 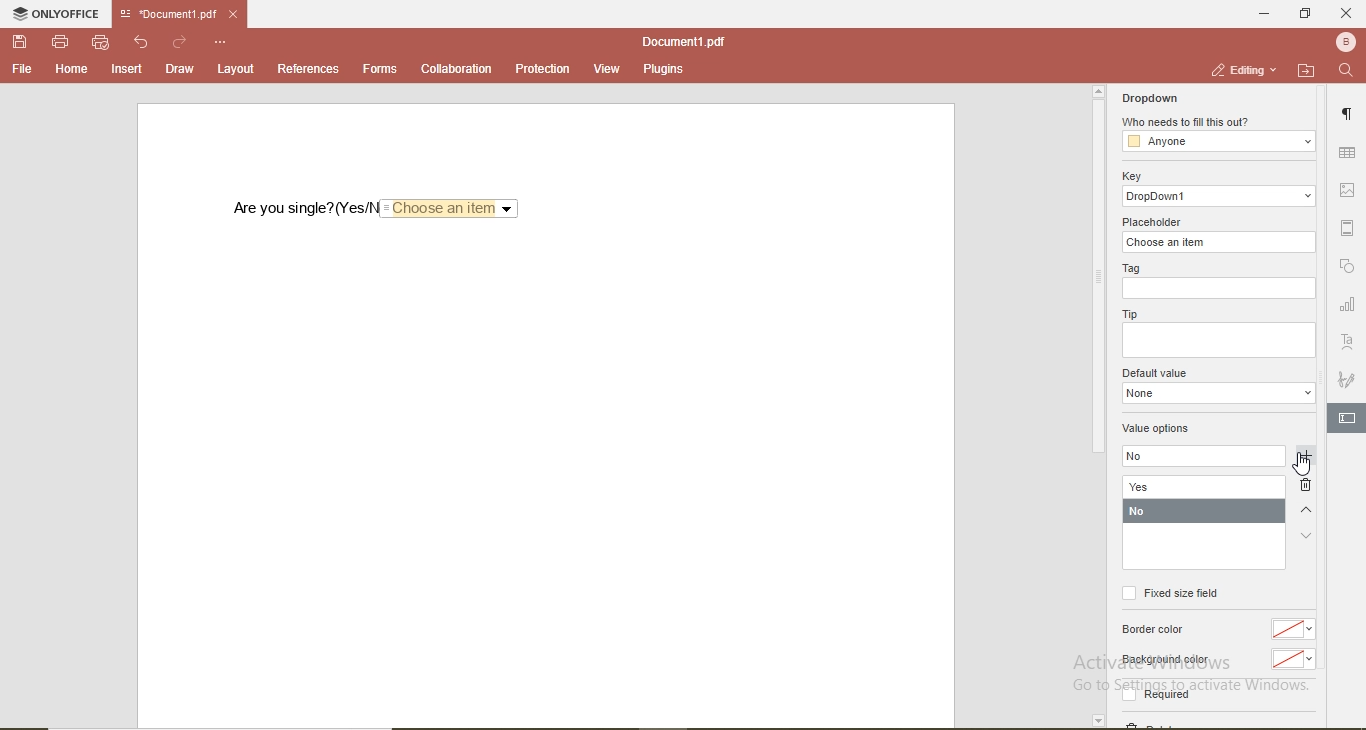 I want to click on font style, so click(x=1350, y=341).